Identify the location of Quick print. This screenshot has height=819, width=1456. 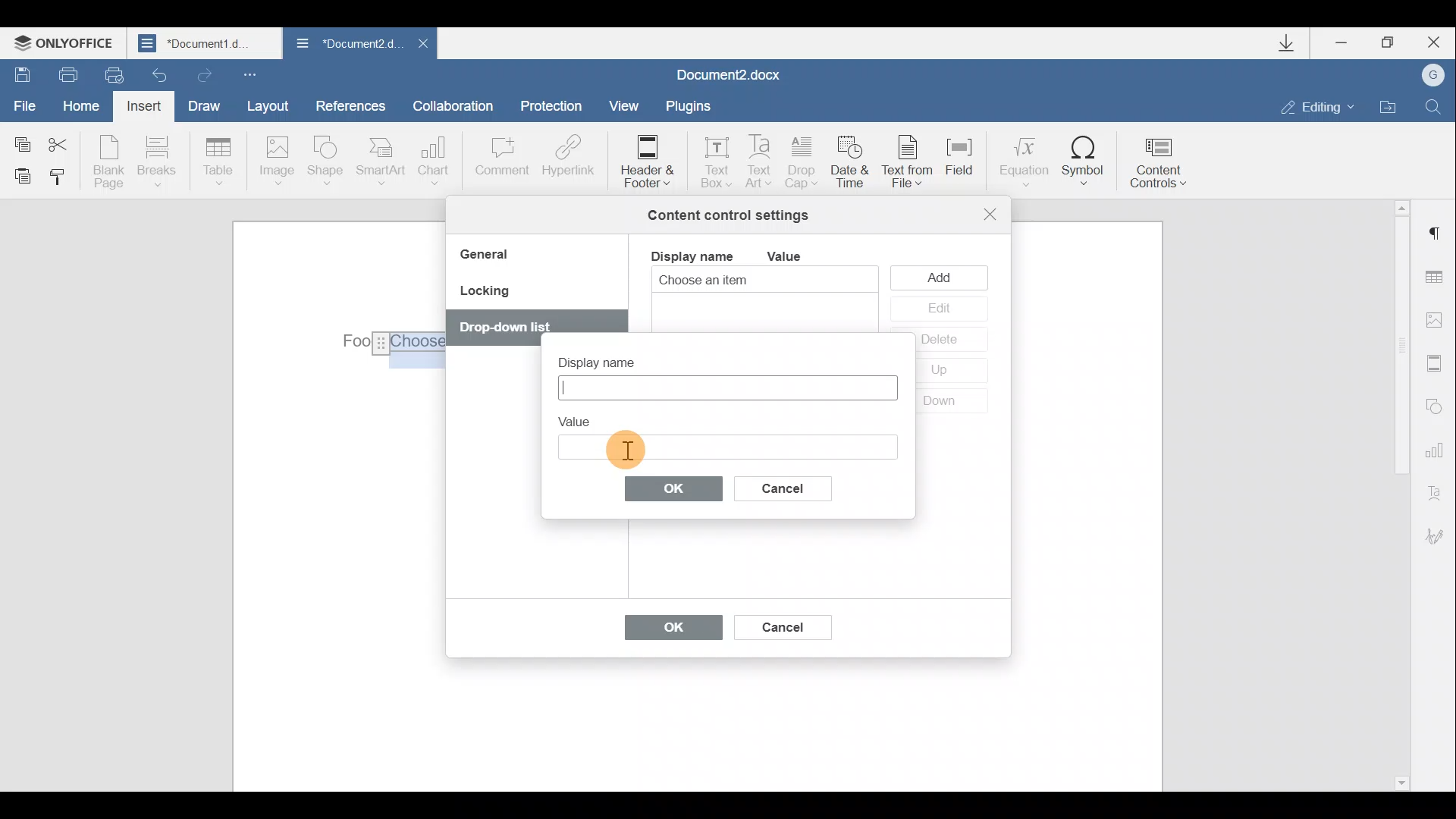
(112, 76).